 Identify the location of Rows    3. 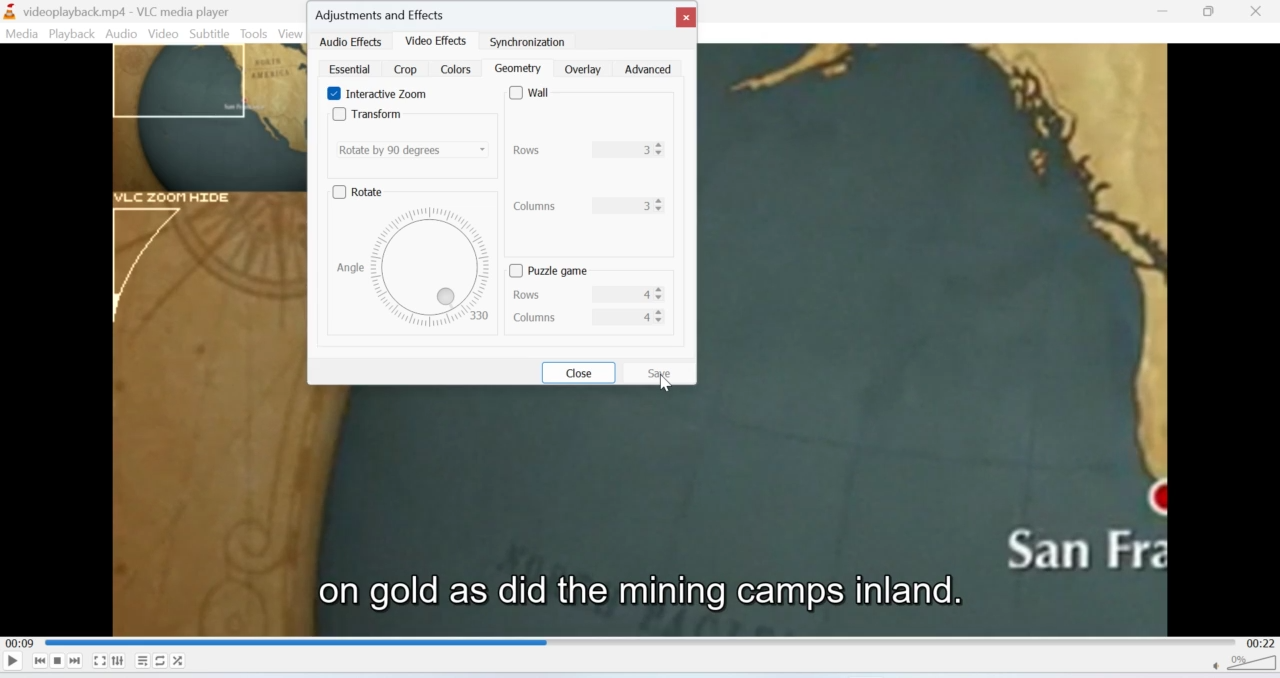
(593, 150).